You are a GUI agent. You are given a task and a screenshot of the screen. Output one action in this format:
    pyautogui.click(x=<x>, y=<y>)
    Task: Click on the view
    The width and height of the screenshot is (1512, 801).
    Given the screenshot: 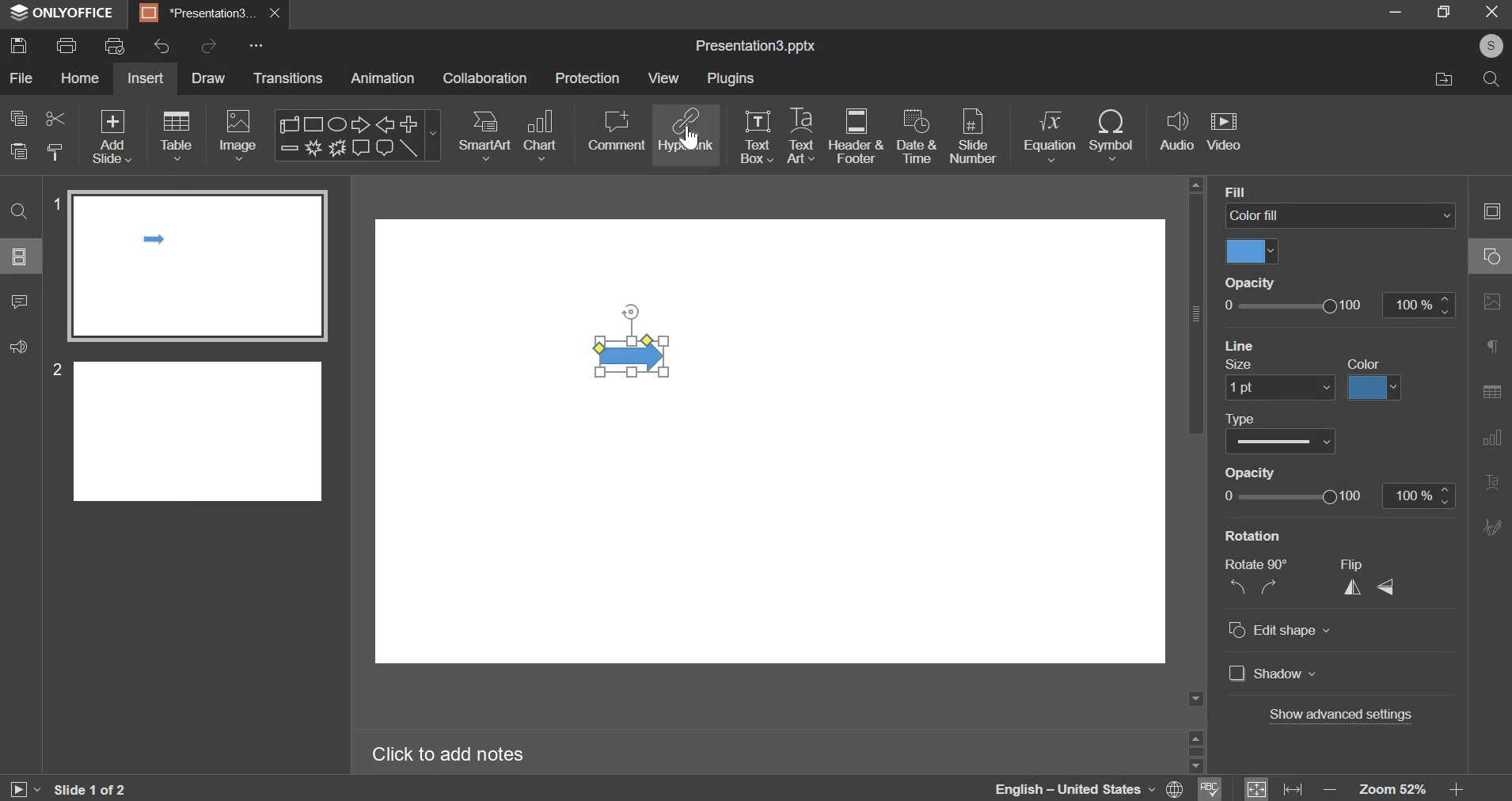 What is the action you would take?
    pyautogui.click(x=663, y=79)
    